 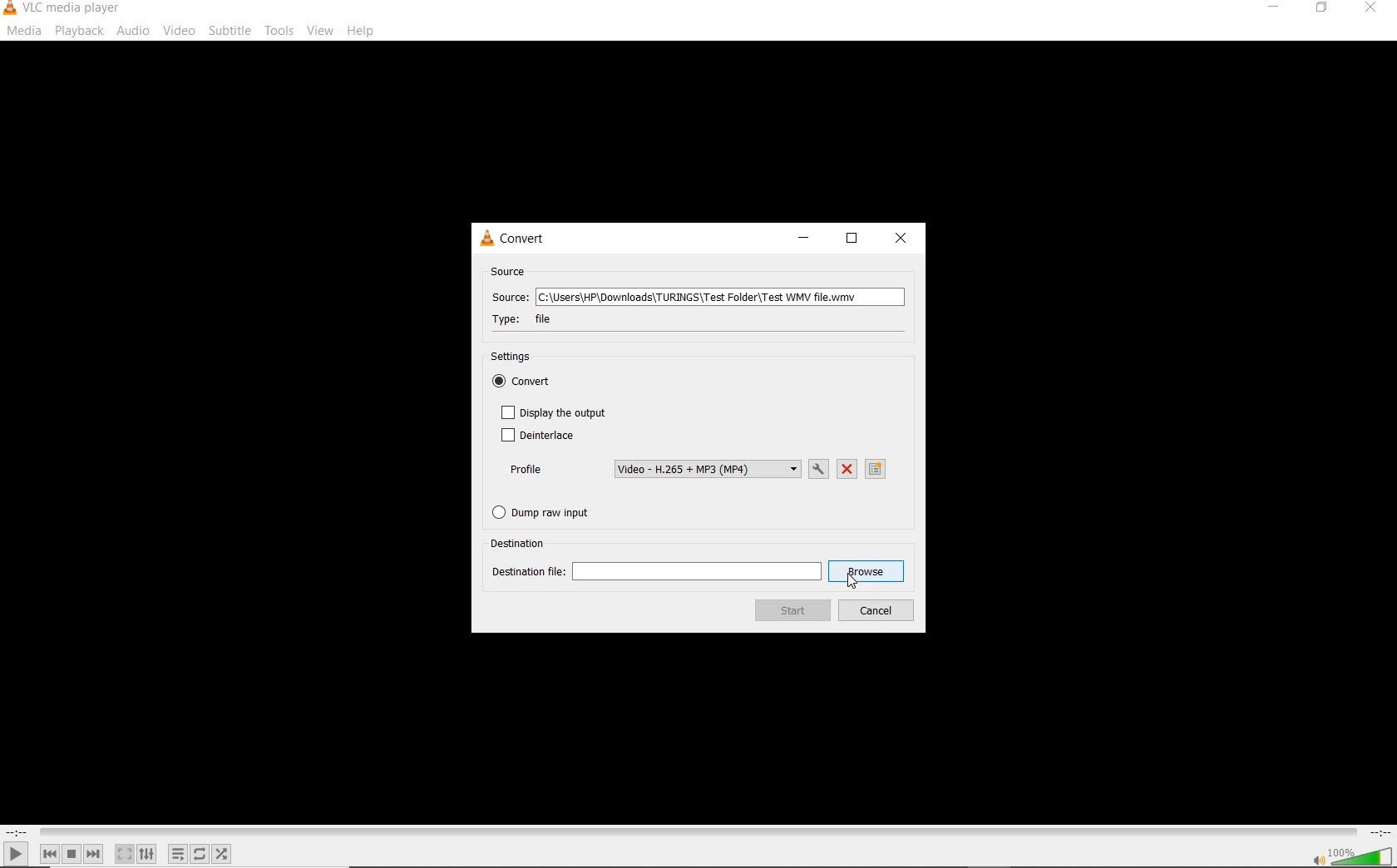 I want to click on CLOSE, so click(x=903, y=239).